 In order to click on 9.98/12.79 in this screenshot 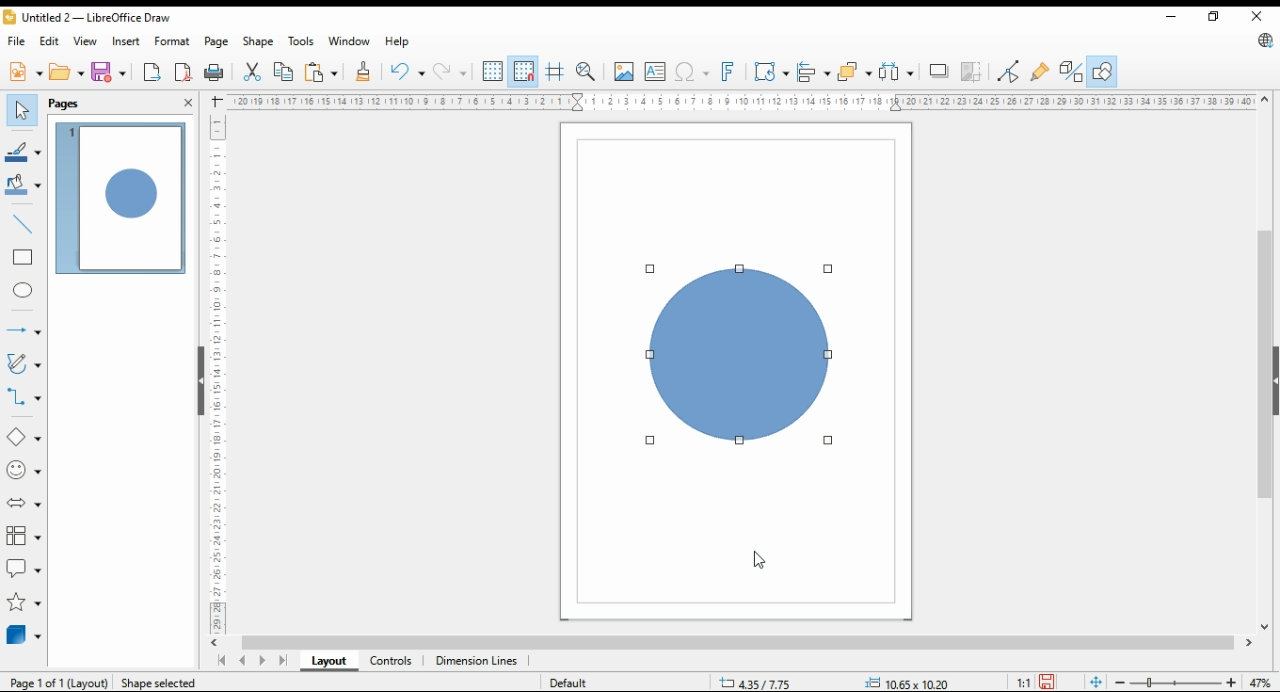, I will do `click(759, 684)`.